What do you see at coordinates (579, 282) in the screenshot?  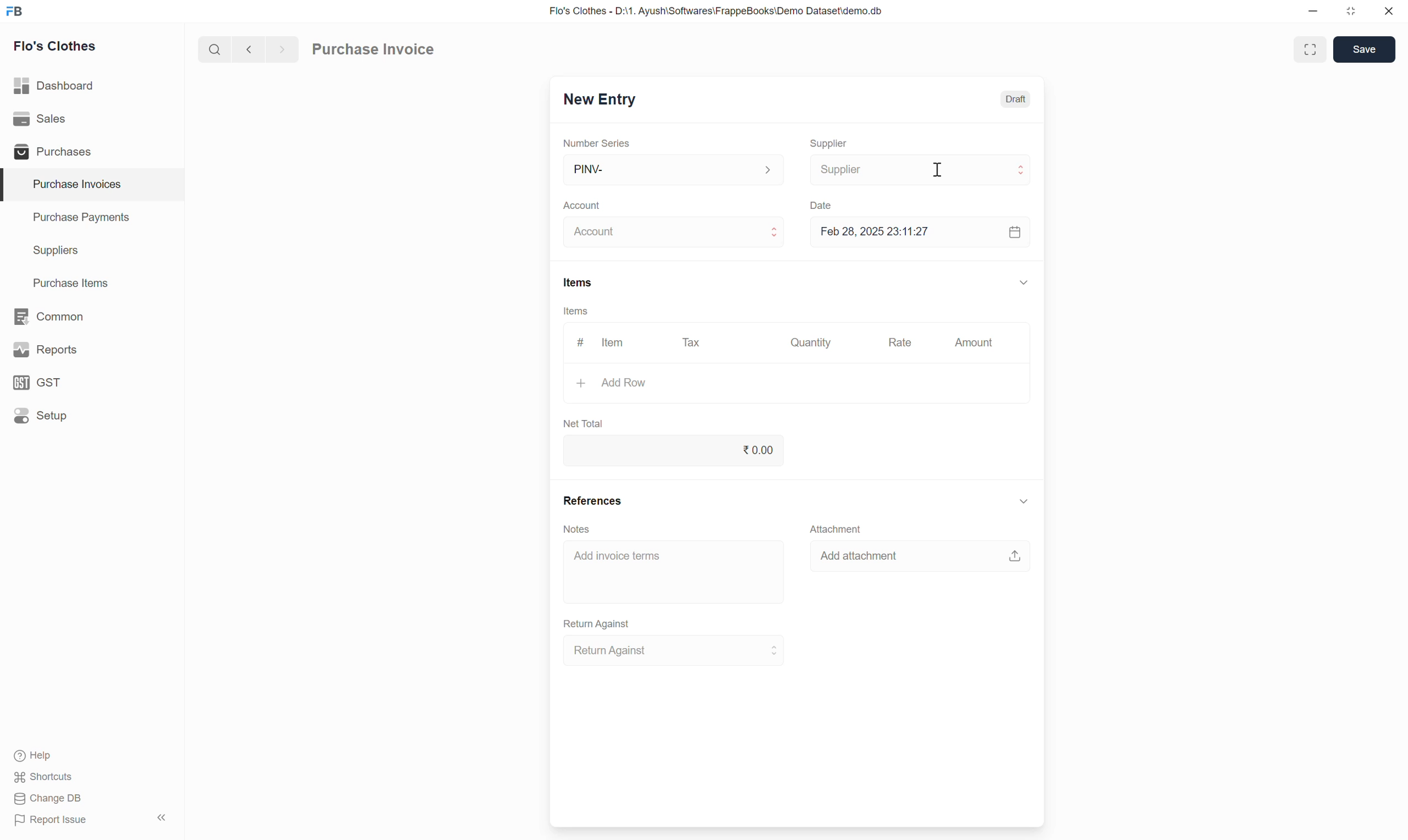 I see `Items` at bounding box center [579, 282].